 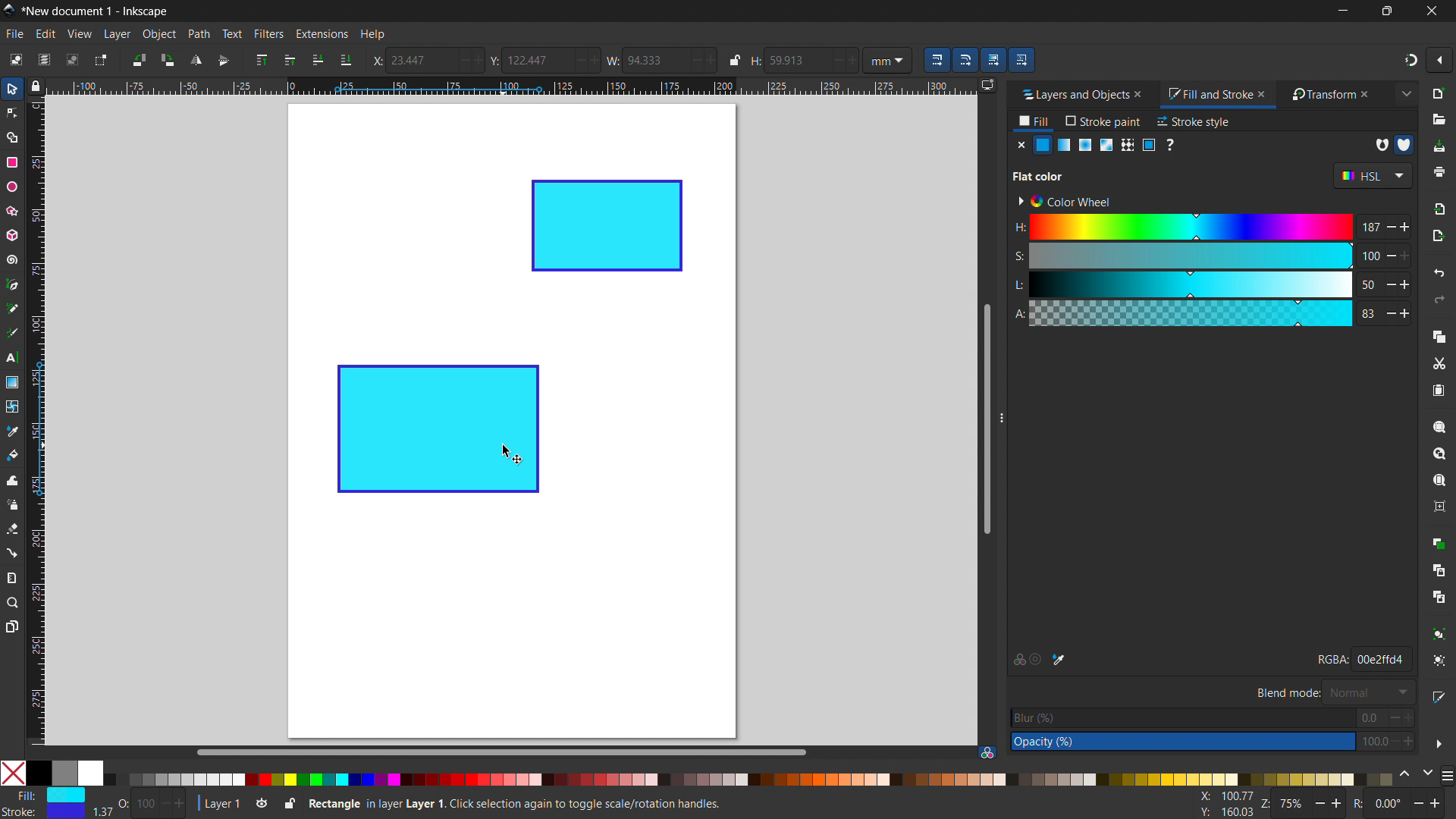 What do you see at coordinates (526, 60) in the screenshot?
I see `Y: 122.447` at bounding box center [526, 60].